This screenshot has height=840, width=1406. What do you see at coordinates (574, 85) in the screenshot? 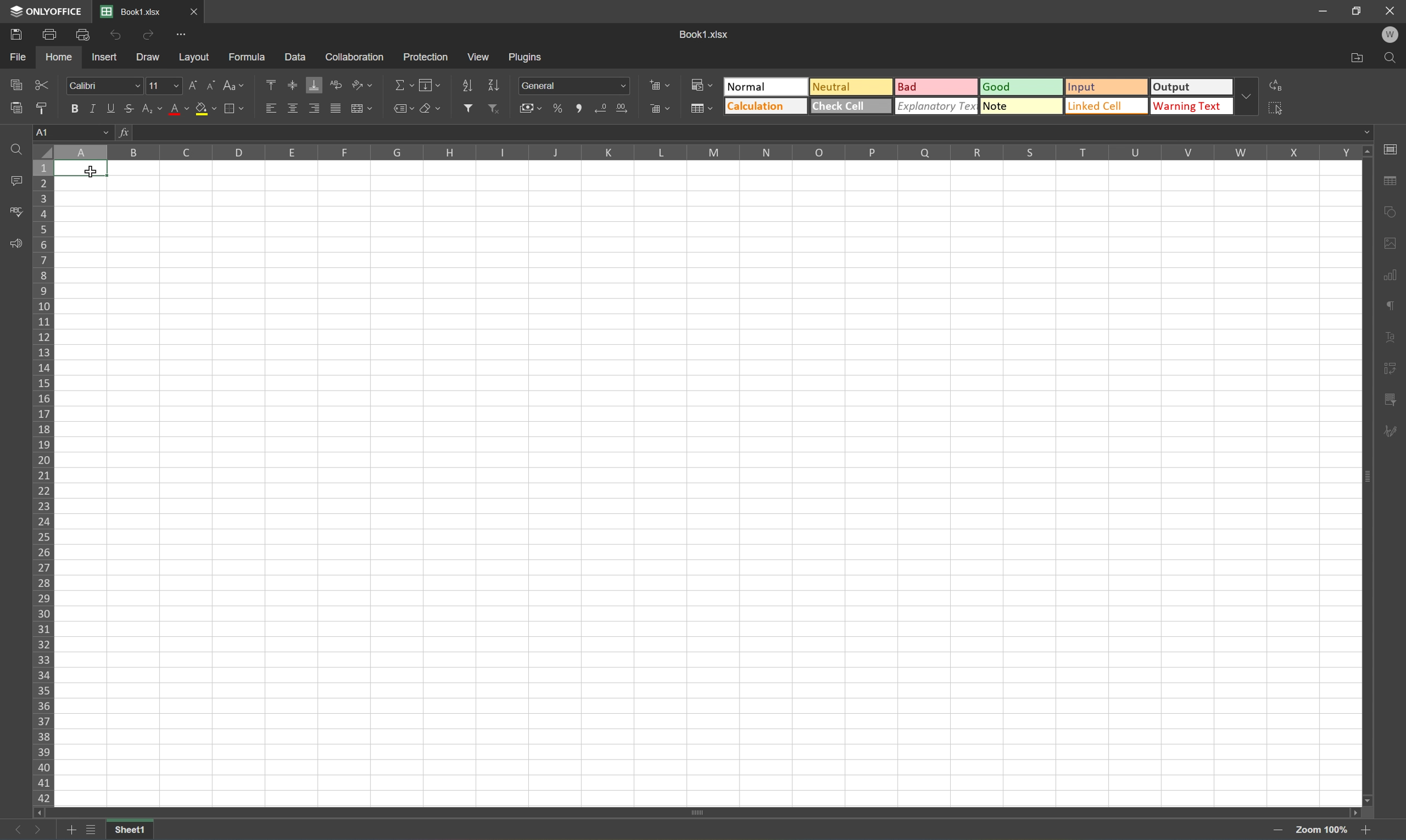
I see `Number formal` at bounding box center [574, 85].